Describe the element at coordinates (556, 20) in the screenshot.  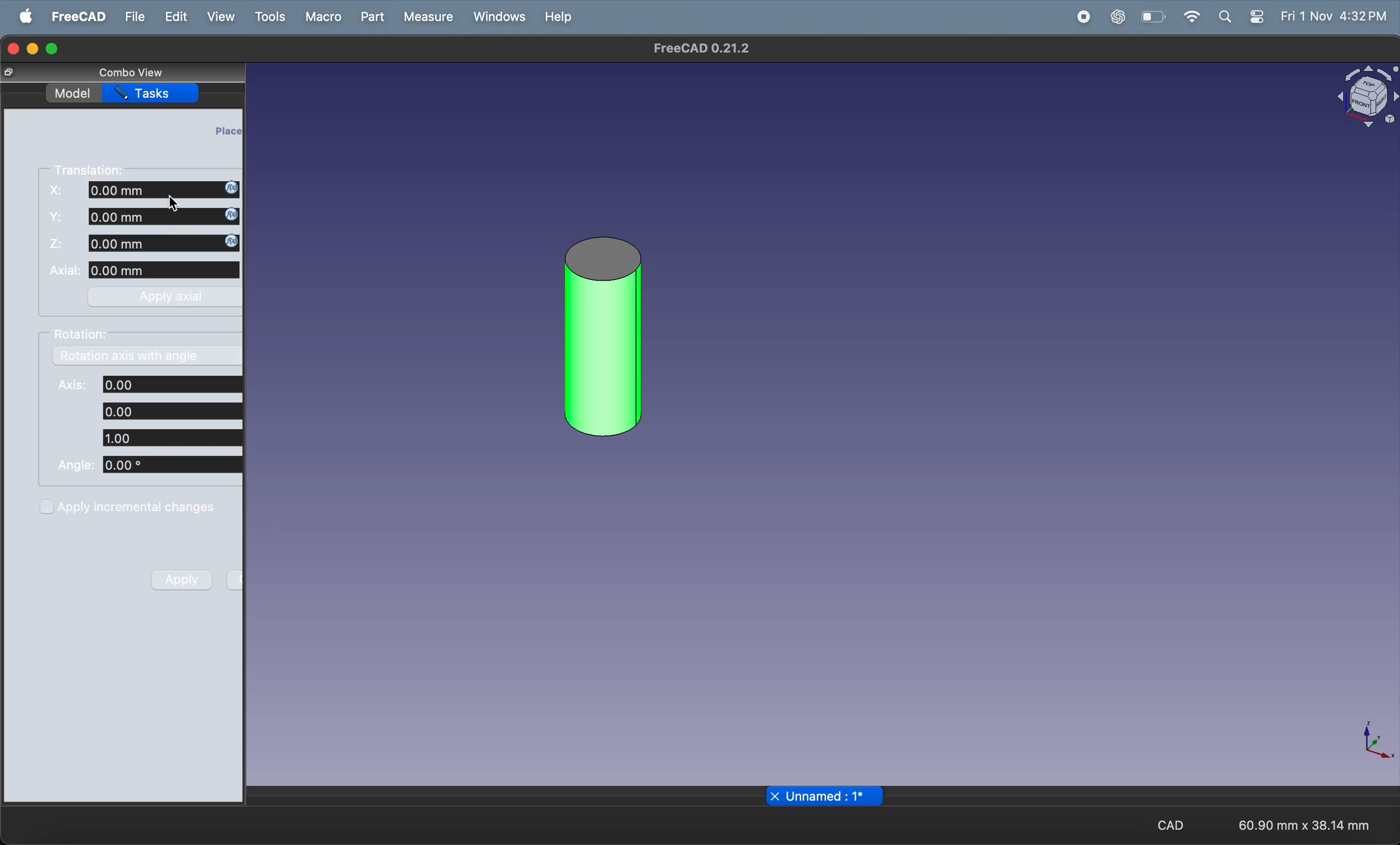
I see `help` at that location.